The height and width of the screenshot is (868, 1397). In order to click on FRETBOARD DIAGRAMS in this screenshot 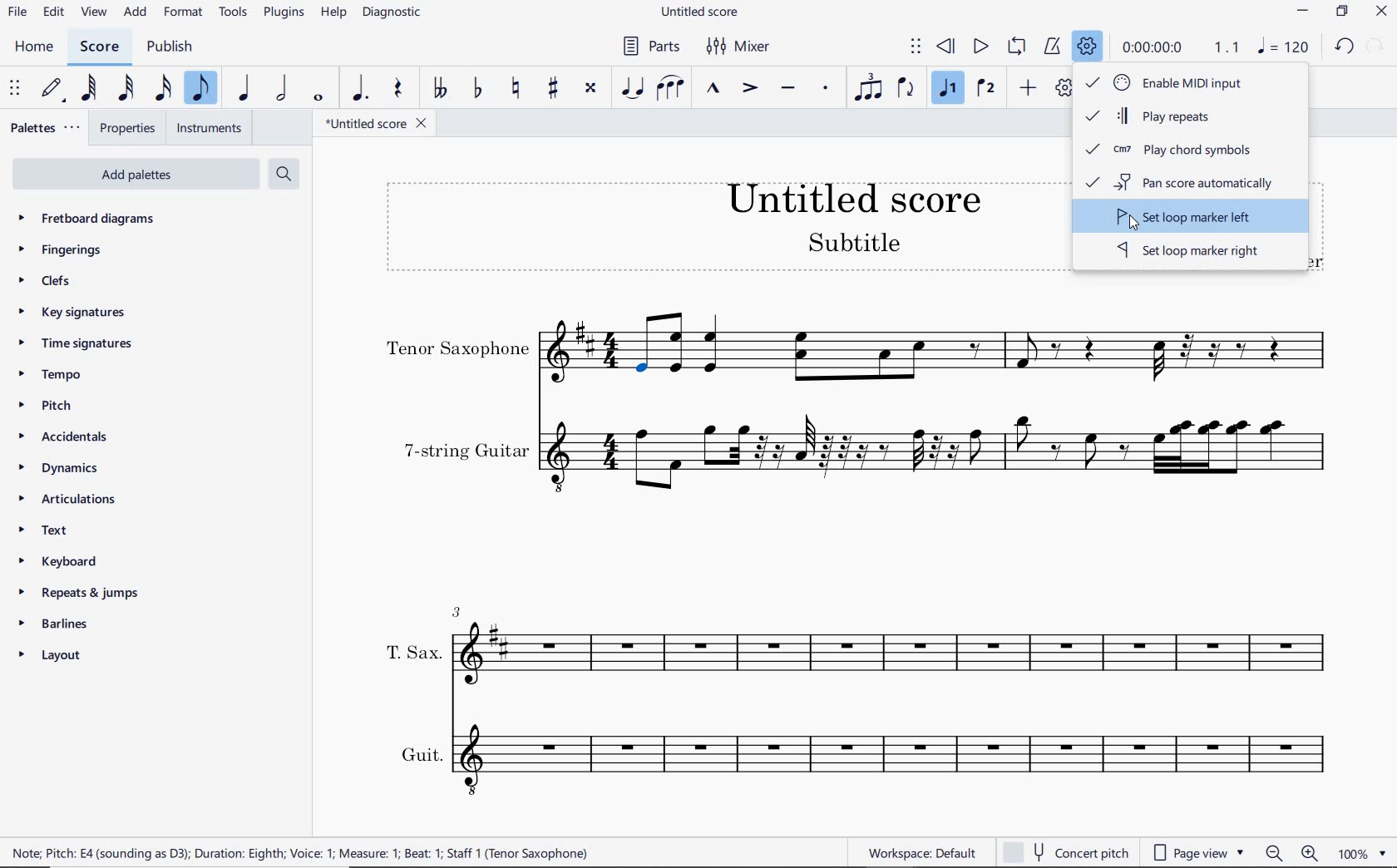, I will do `click(88, 218)`.